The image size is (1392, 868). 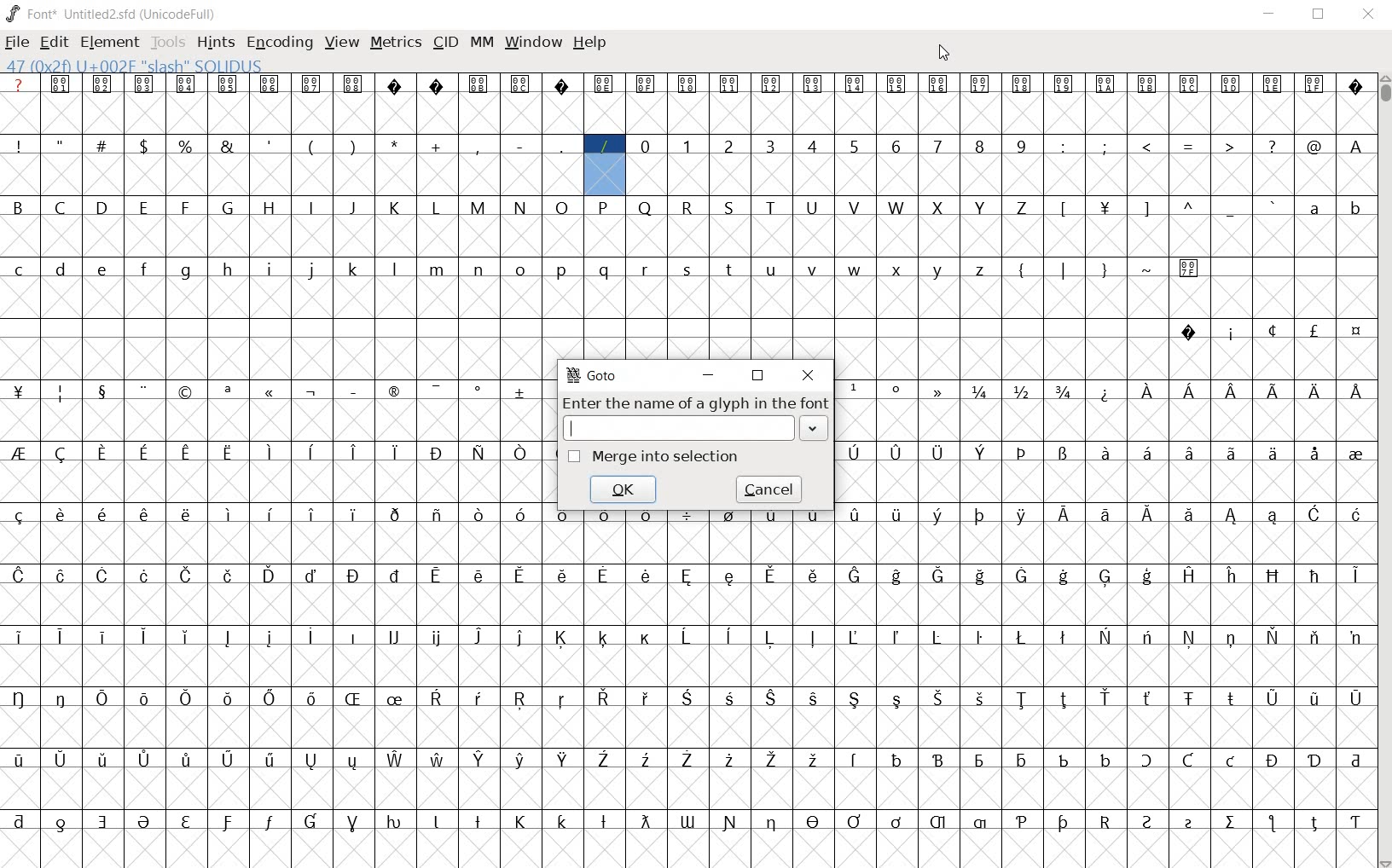 What do you see at coordinates (980, 576) in the screenshot?
I see `glyph` at bounding box center [980, 576].